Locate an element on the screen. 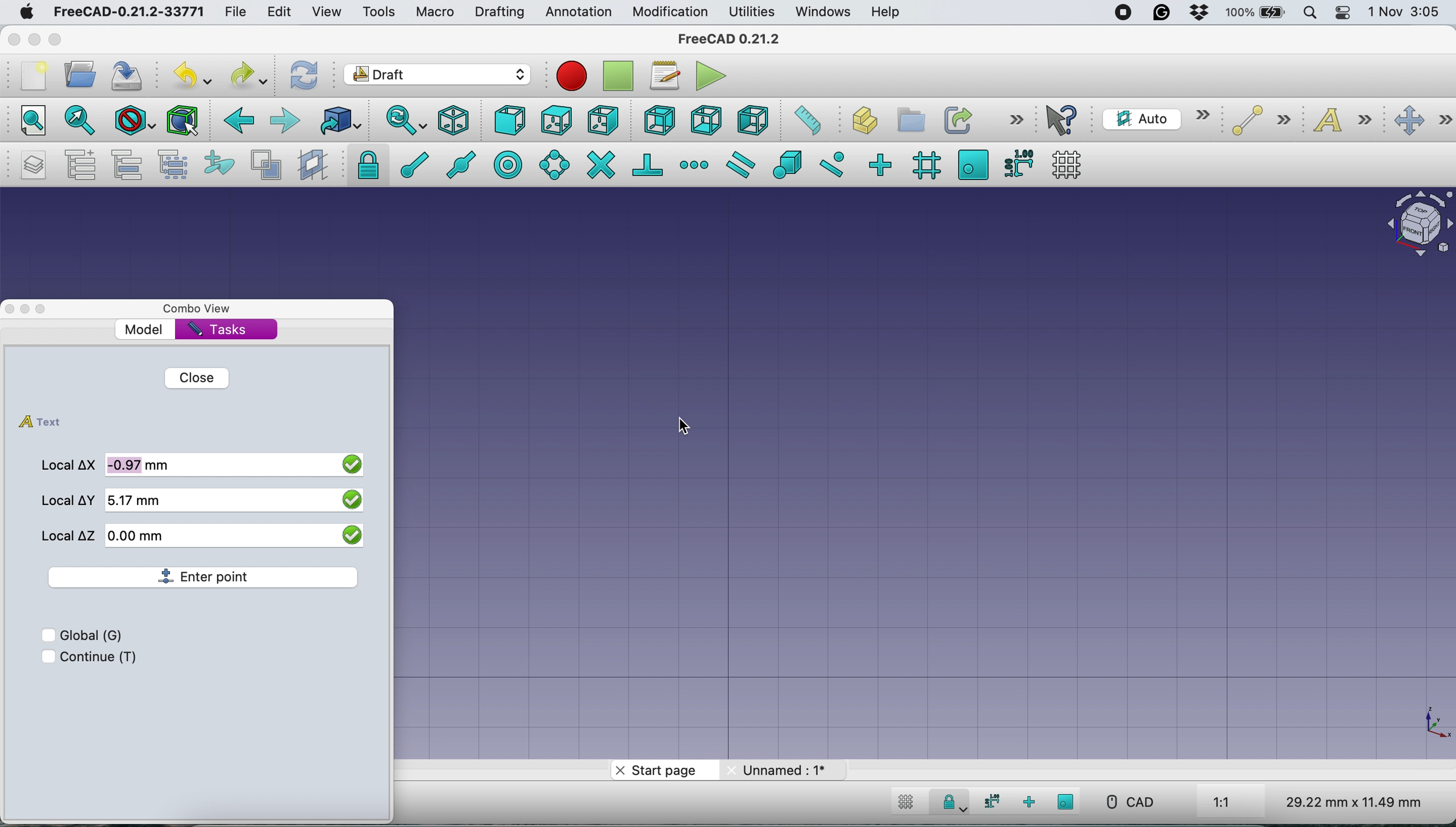 This screenshot has width=1456, height=827. toggle grid is located at coordinates (1067, 165).